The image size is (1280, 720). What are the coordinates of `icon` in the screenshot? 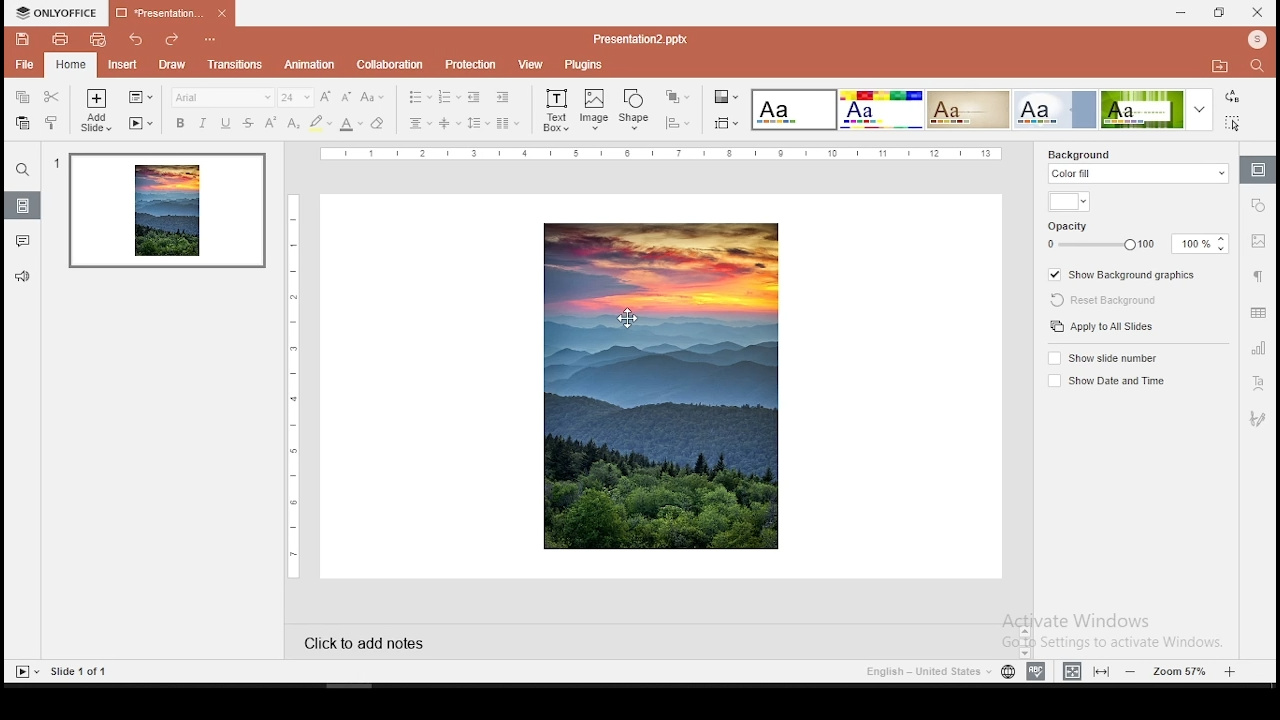 It's located at (55, 12).